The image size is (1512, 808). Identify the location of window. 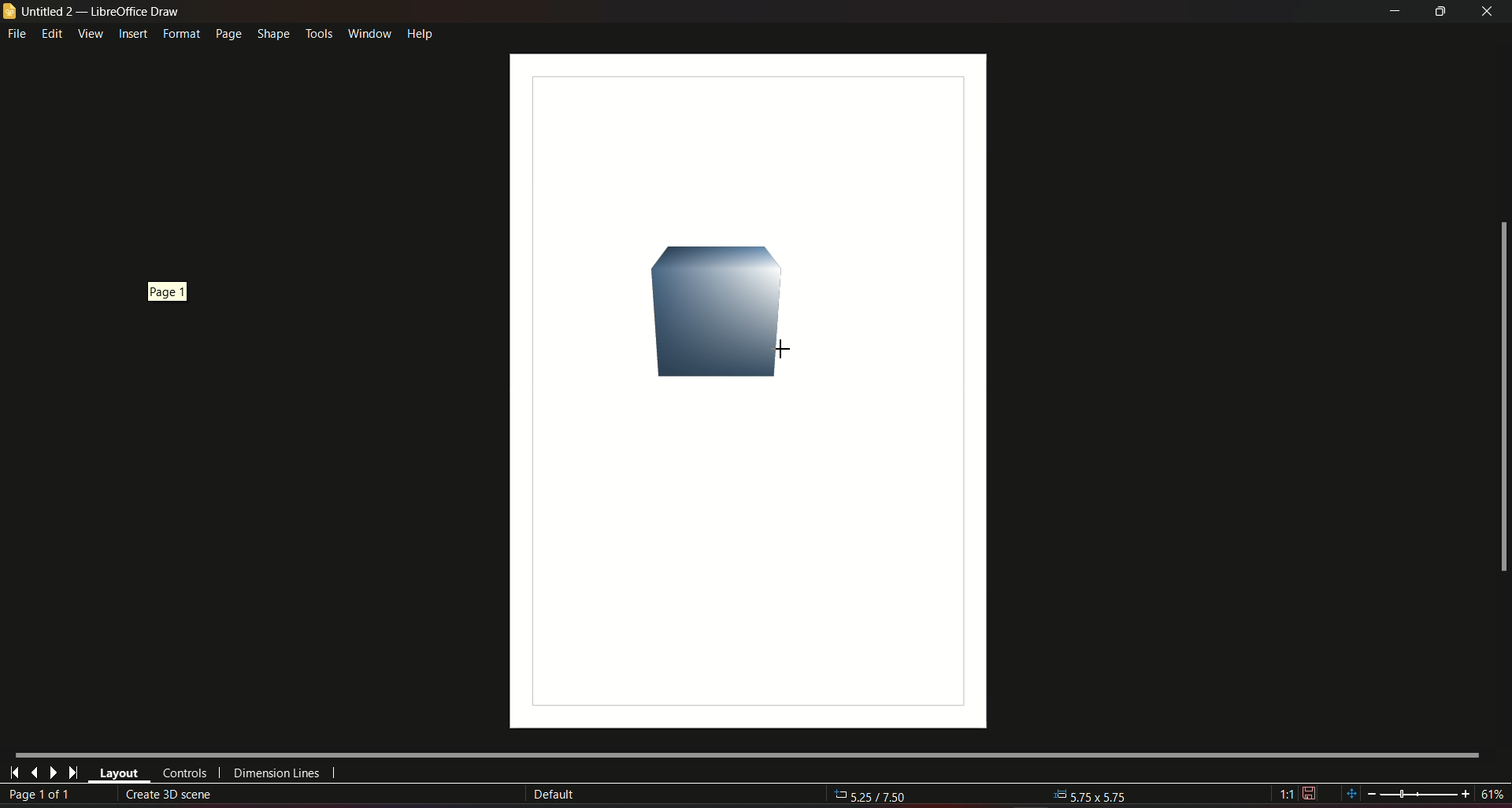
(368, 31).